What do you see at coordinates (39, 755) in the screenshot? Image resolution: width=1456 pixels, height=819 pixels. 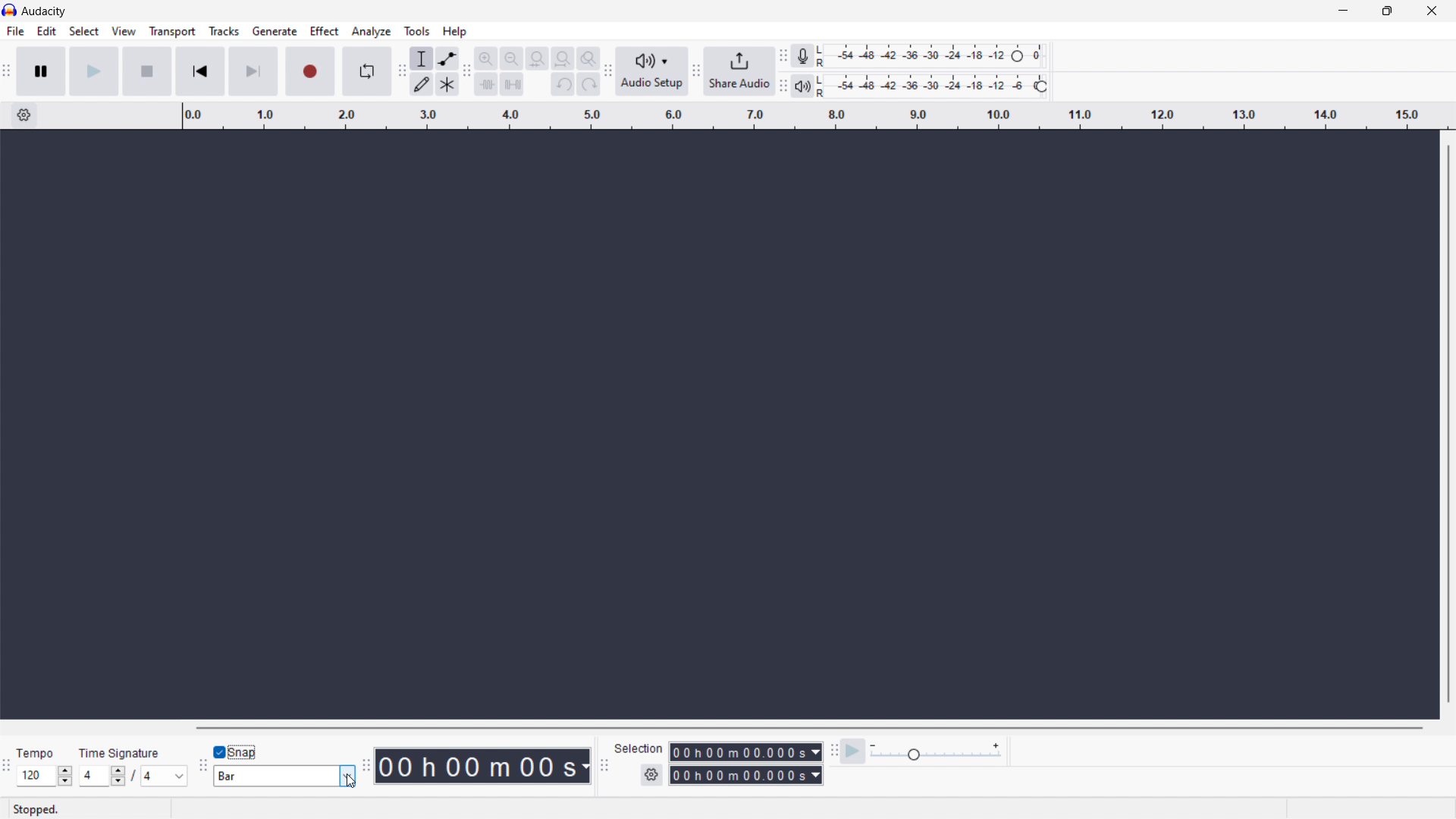 I see `Tempo` at bounding box center [39, 755].